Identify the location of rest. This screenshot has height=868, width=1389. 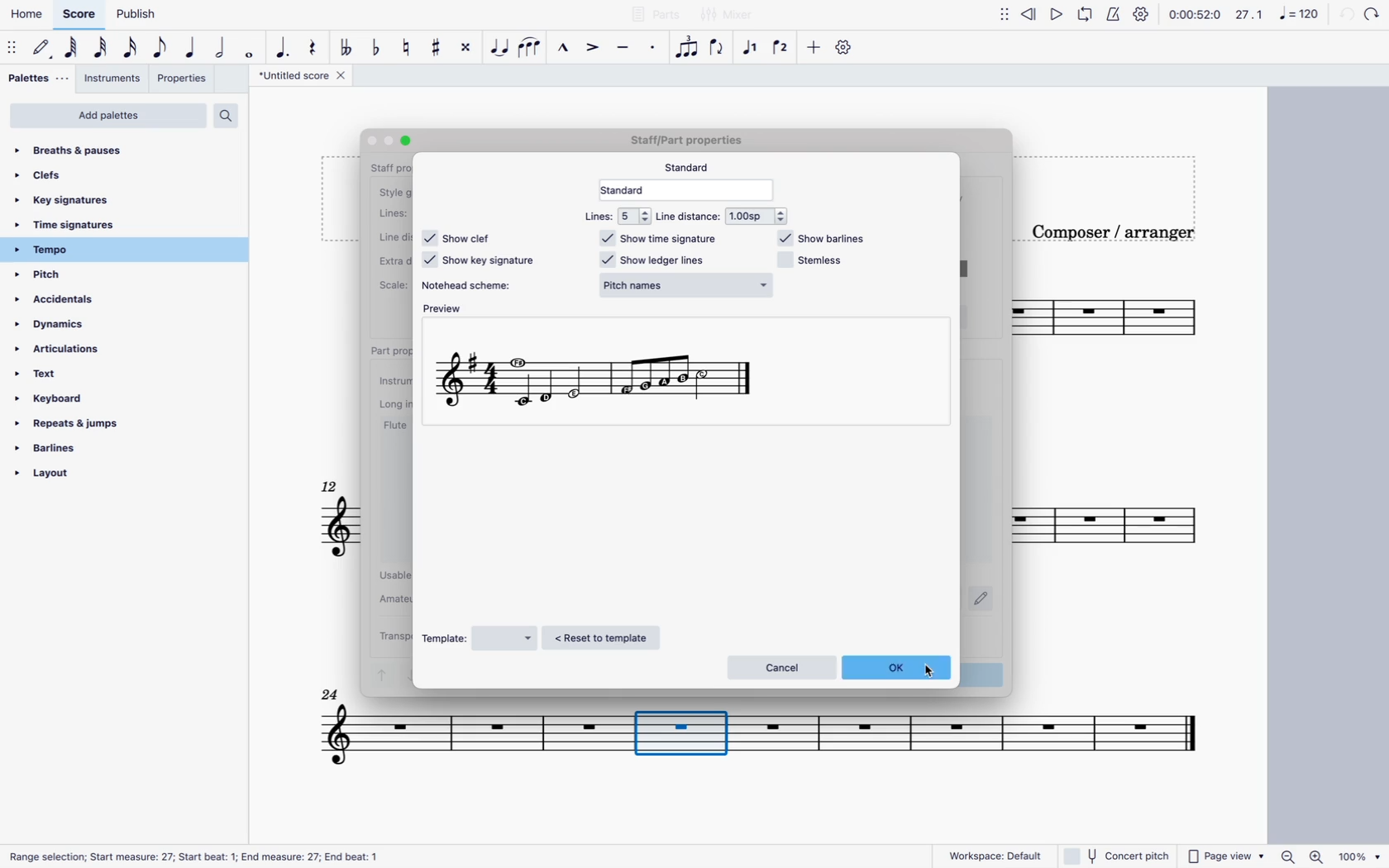
(316, 48).